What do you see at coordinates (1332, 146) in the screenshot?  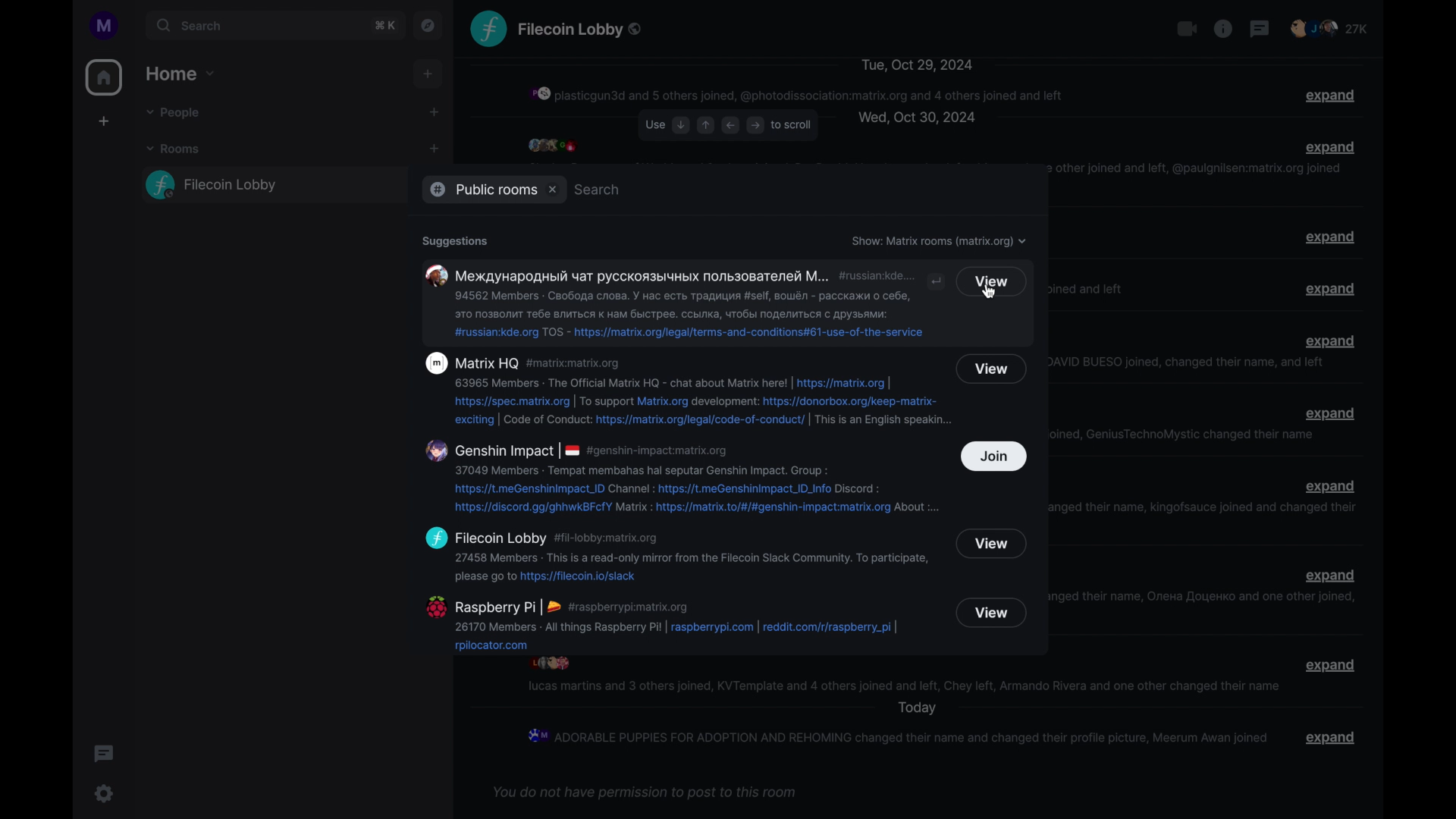 I see `expand` at bounding box center [1332, 146].